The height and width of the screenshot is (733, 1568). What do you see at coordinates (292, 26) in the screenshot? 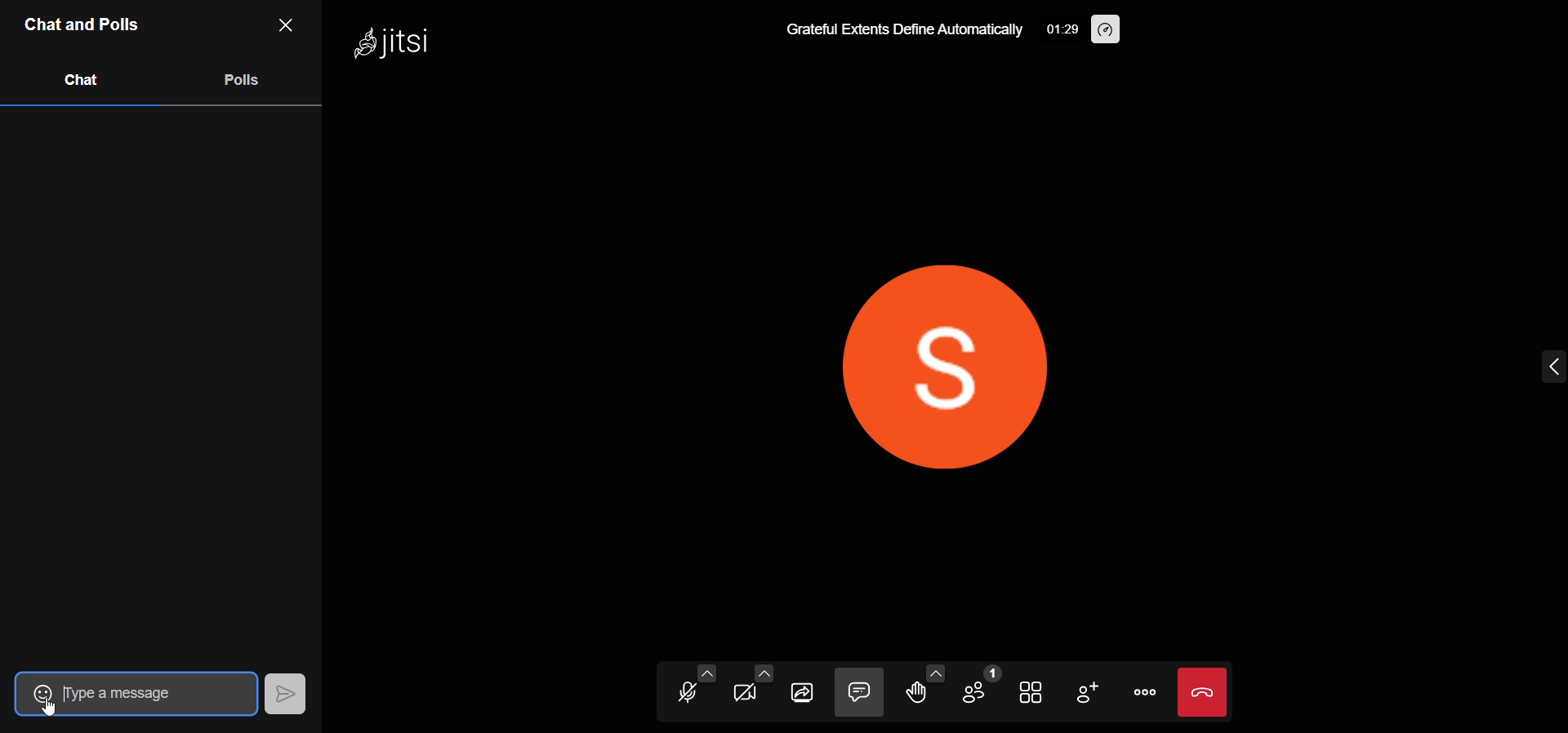
I see `close pane` at bounding box center [292, 26].